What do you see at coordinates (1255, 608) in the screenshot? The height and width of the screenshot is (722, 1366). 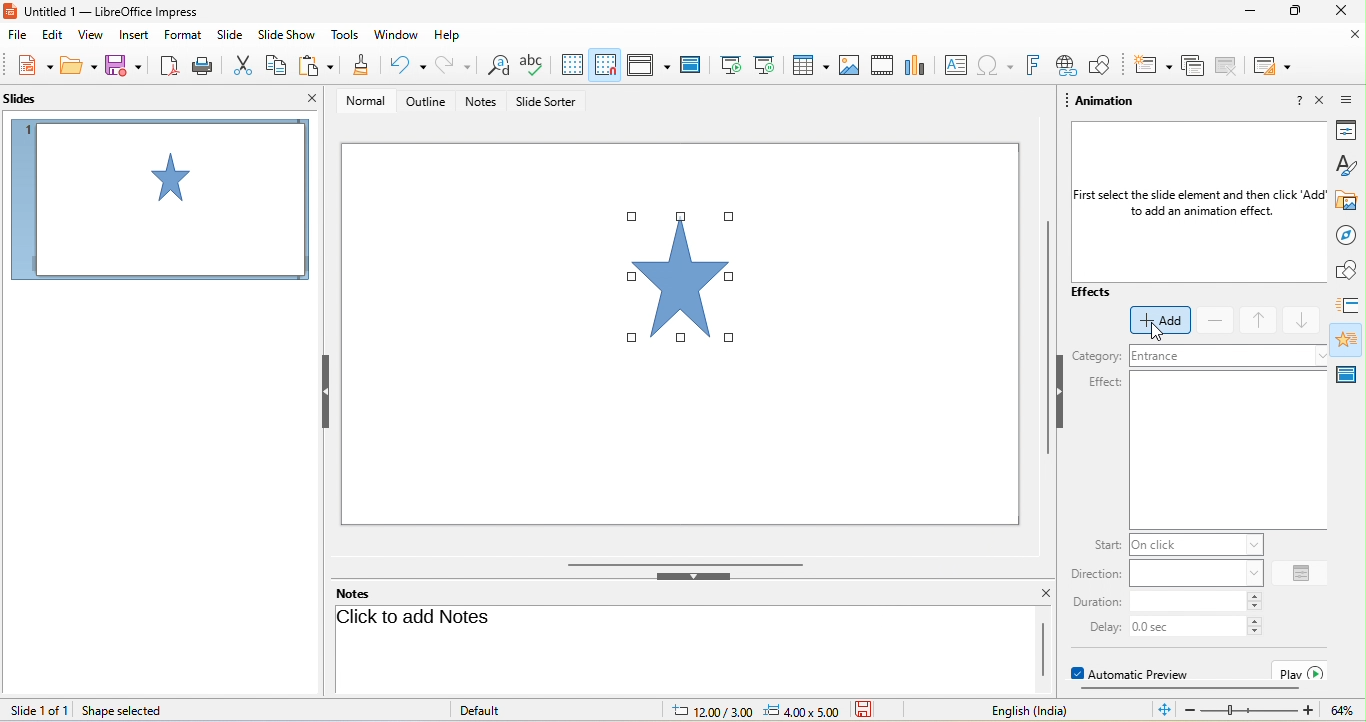 I see `decrease duration` at bounding box center [1255, 608].